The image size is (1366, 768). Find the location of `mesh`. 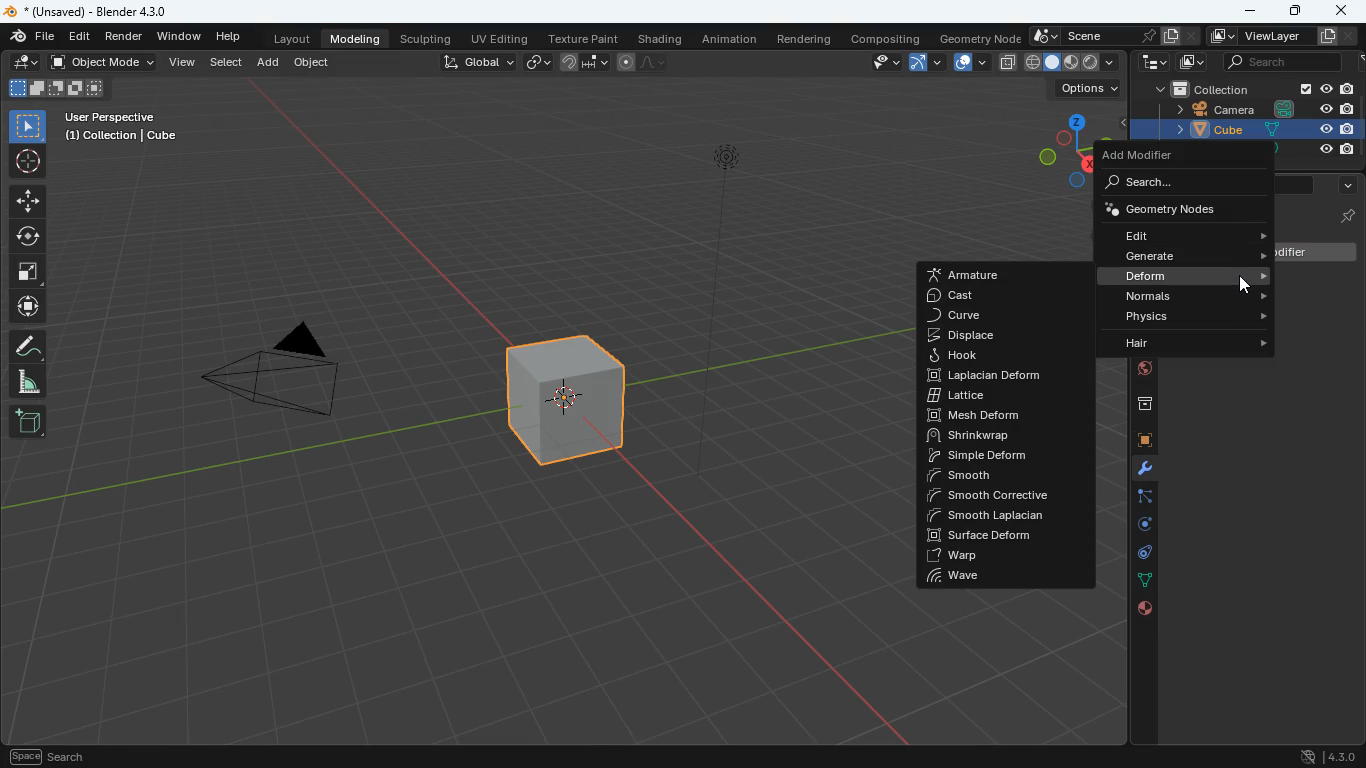

mesh is located at coordinates (972, 417).